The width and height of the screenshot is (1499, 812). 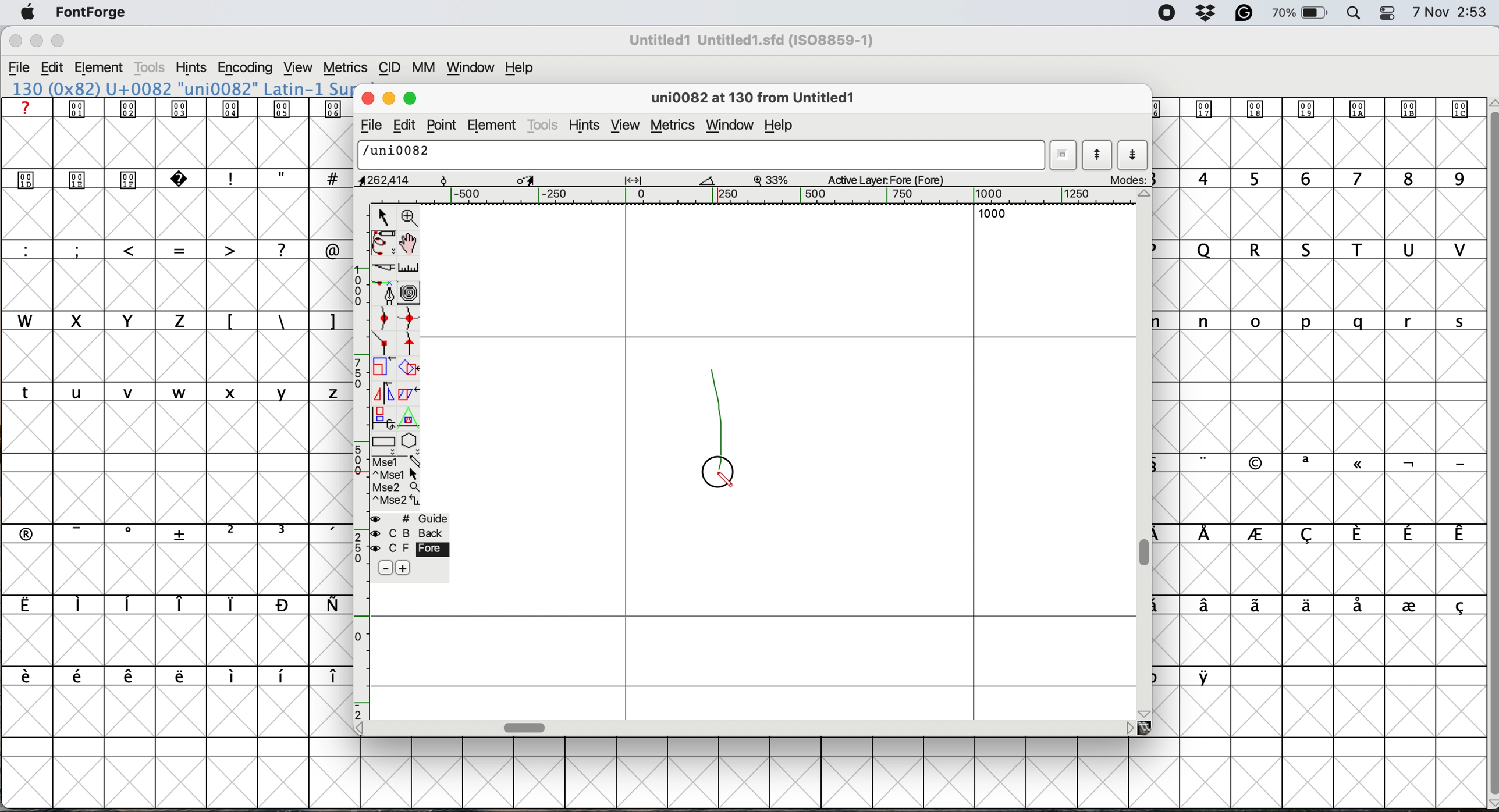 I want to click on screen recorder, so click(x=1166, y=15).